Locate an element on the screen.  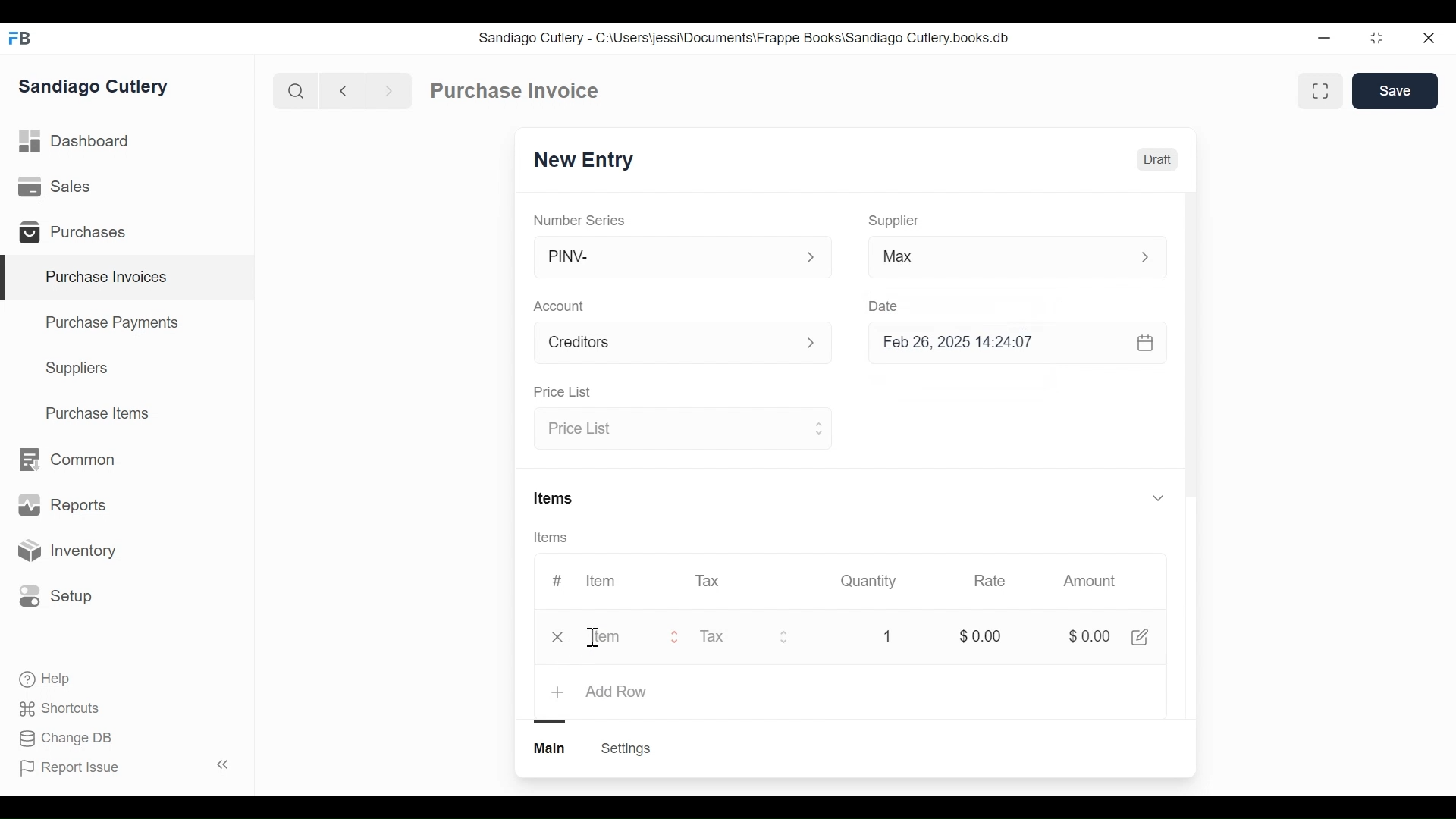
Help is located at coordinates (46, 679).